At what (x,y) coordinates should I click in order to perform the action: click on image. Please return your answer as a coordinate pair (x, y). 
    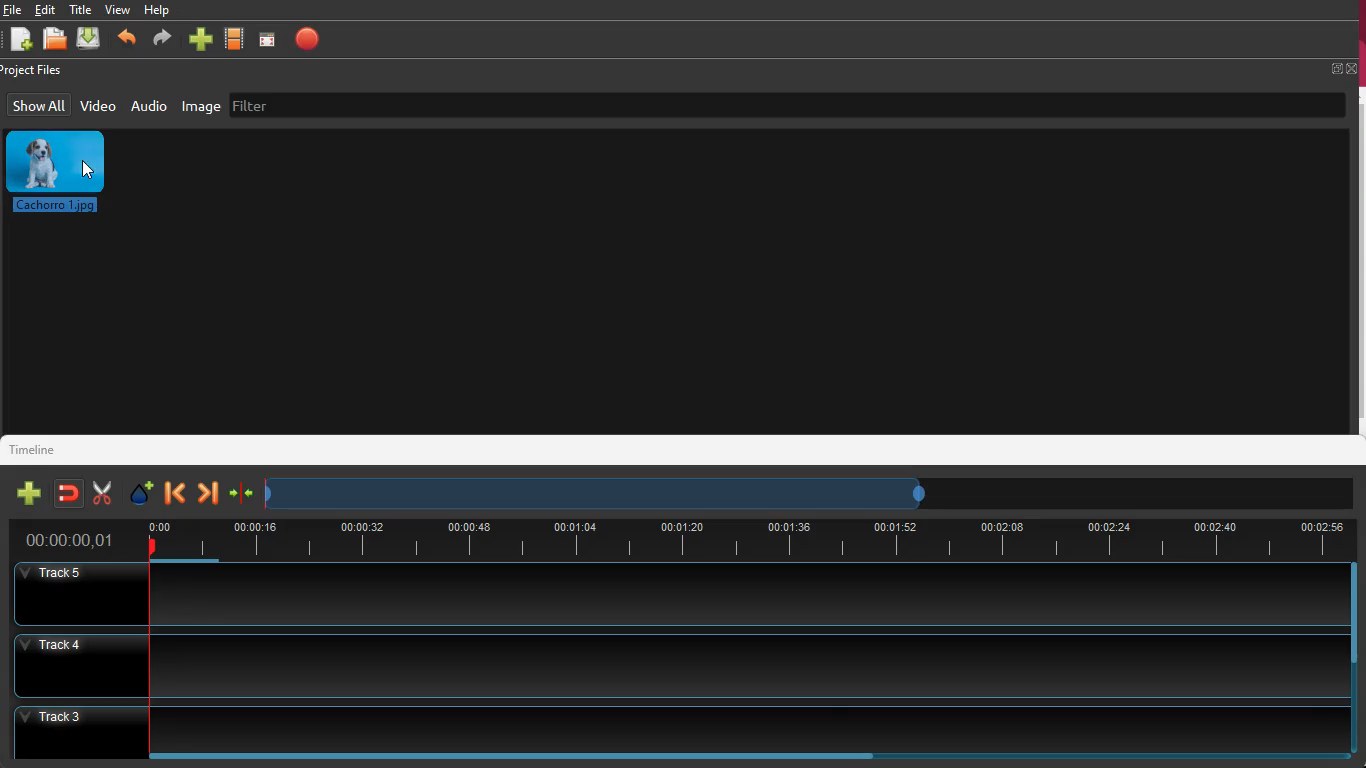
    Looking at the image, I should click on (55, 173).